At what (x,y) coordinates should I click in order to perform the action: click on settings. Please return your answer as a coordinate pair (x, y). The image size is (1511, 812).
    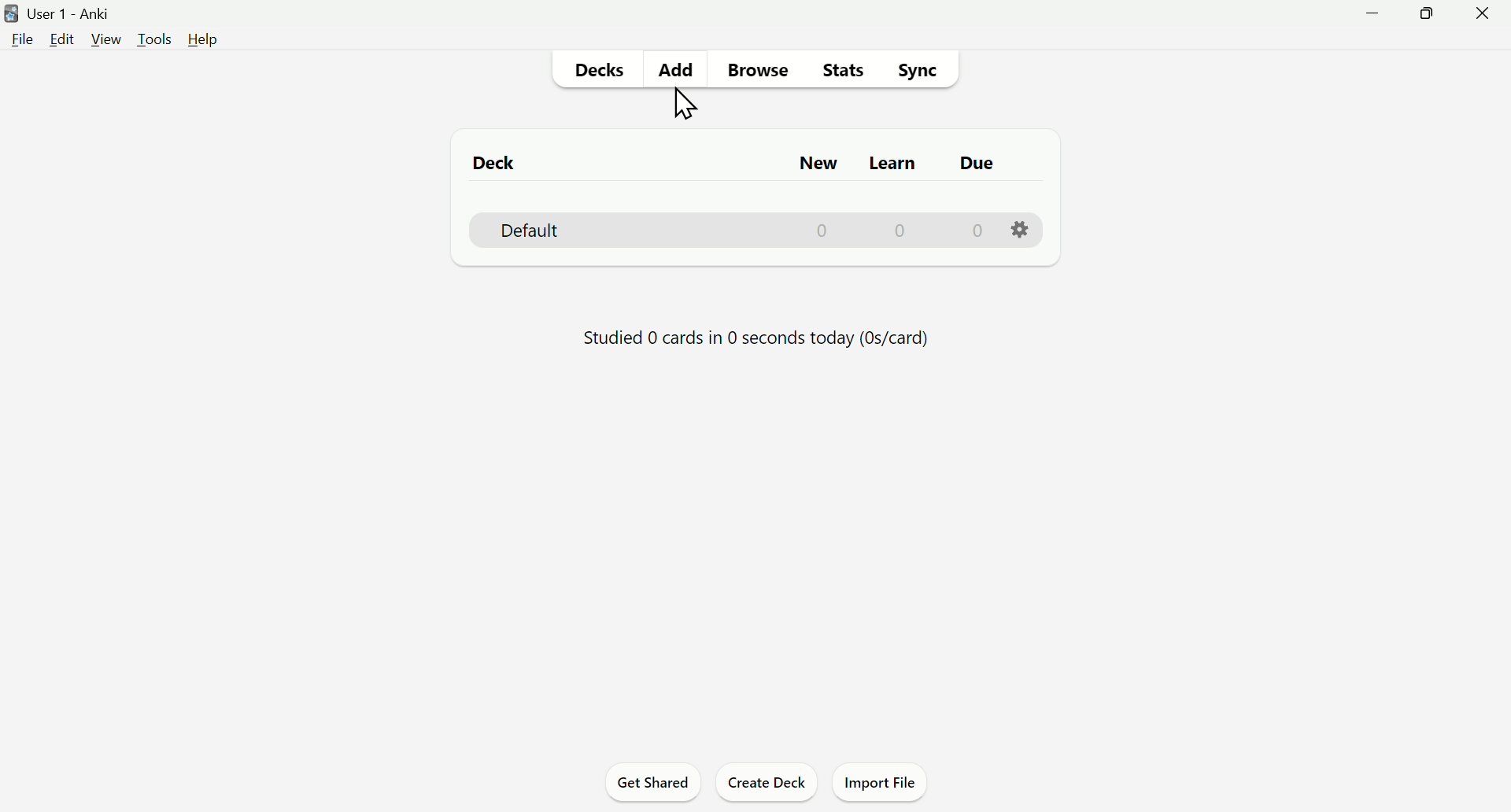
    Looking at the image, I should click on (1021, 231).